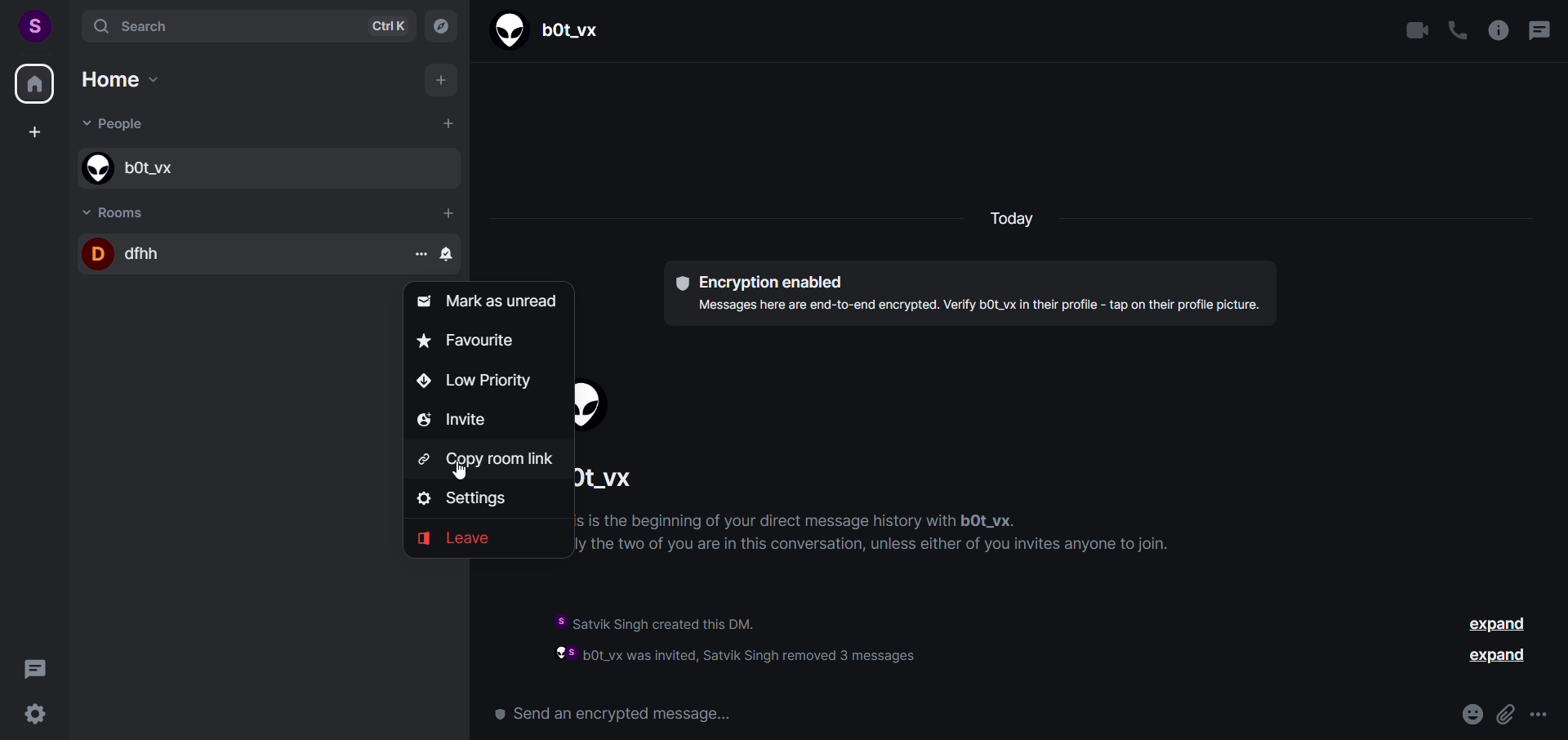 This screenshot has height=740, width=1568. I want to click on people, so click(119, 126).